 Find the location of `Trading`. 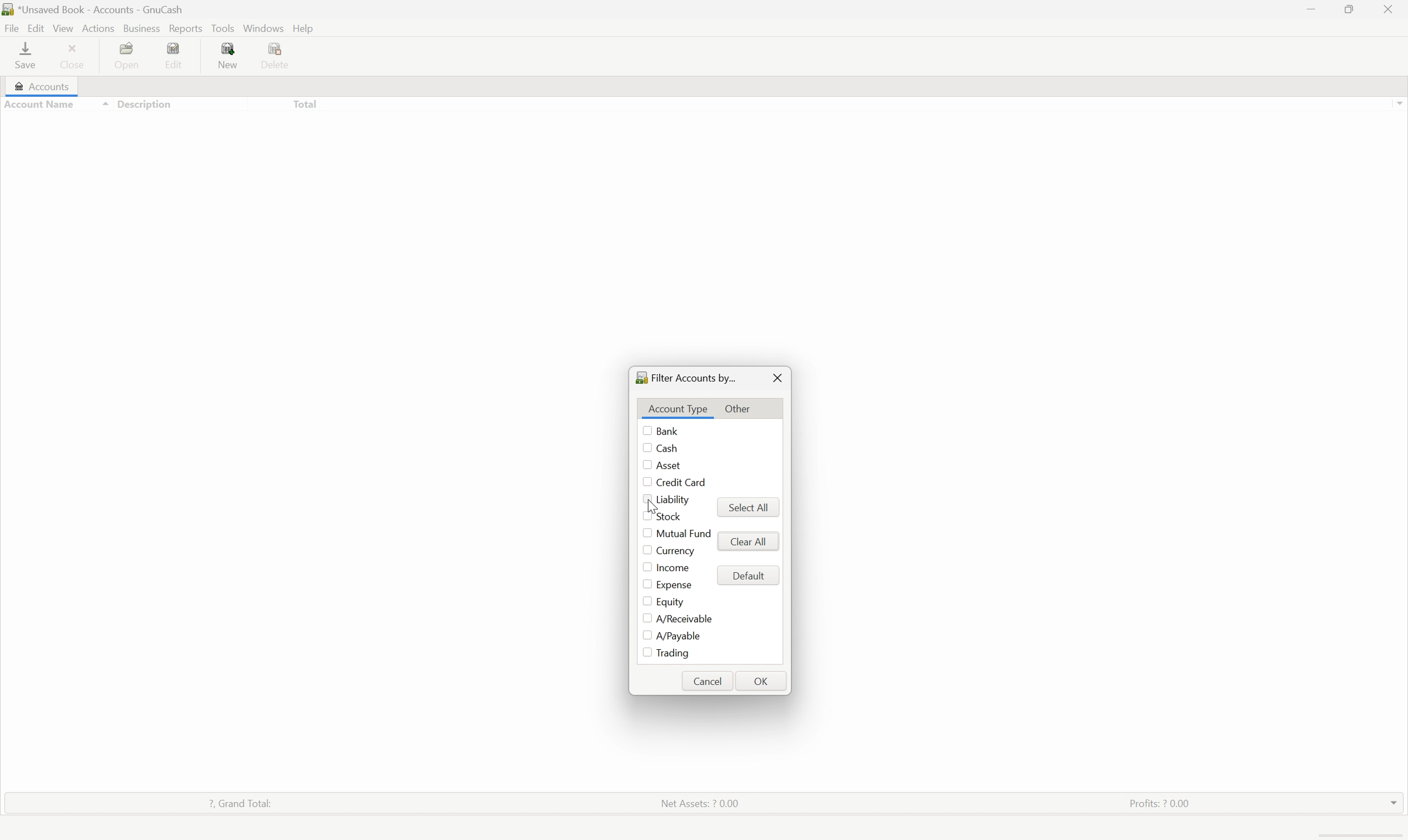

Trading is located at coordinates (674, 653).